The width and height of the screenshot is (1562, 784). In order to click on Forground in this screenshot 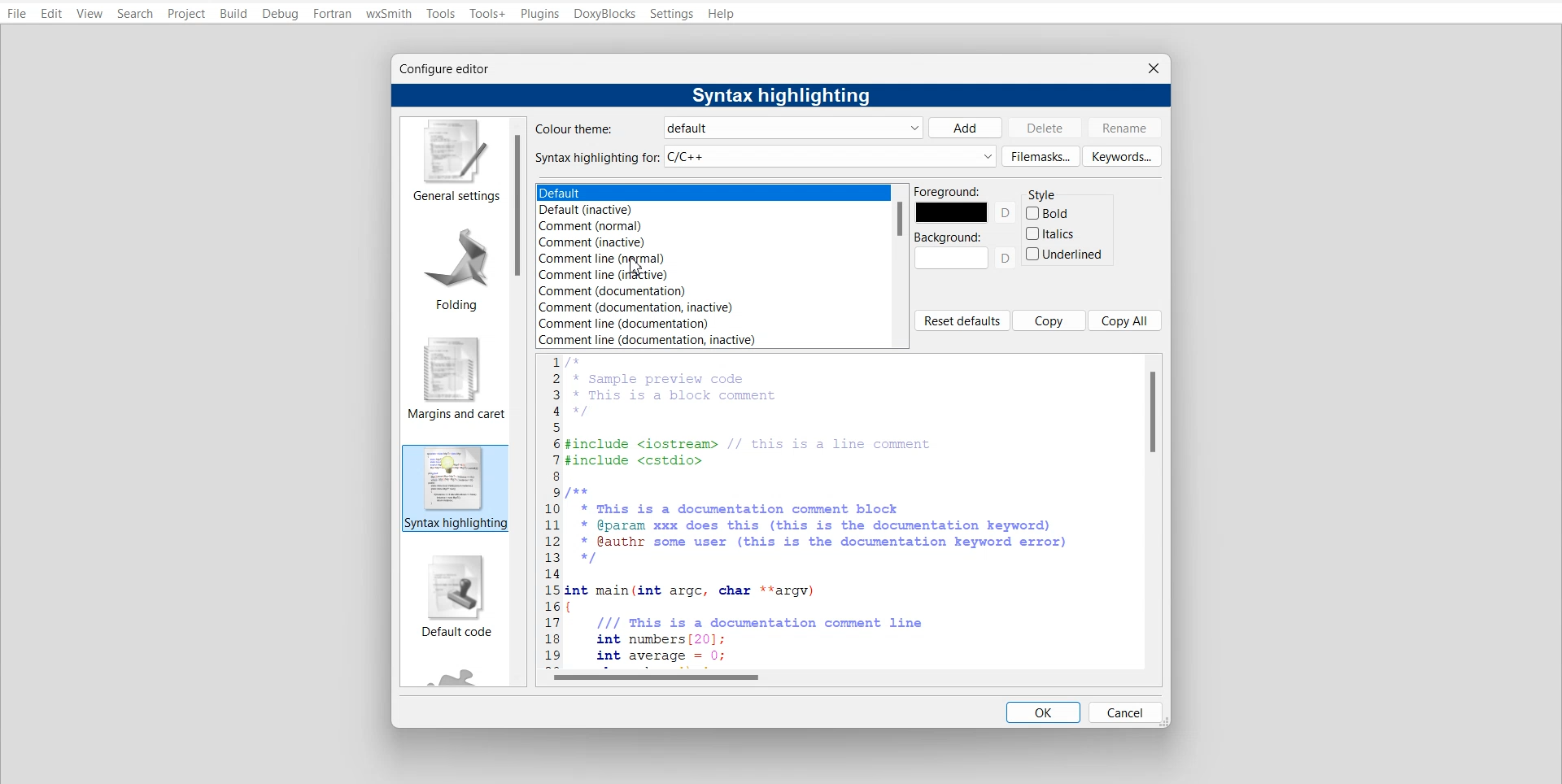, I will do `click(966, 205)`.